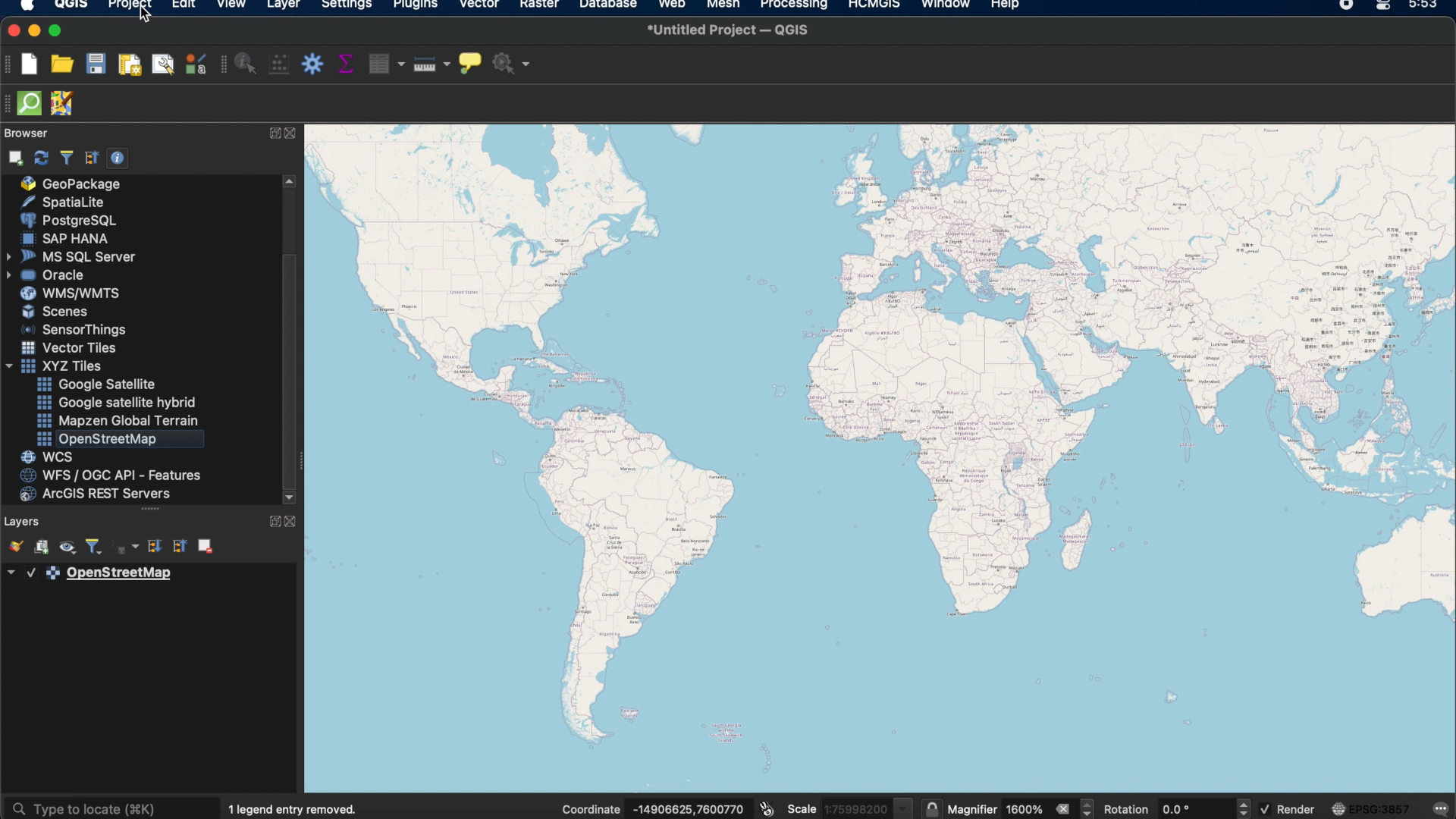 Image resolution: width=1456 pixels, height=819 pixels. Describe the element at coordinates (293, 809) in the screenshot. I see `1 legend entry removed` at that location.